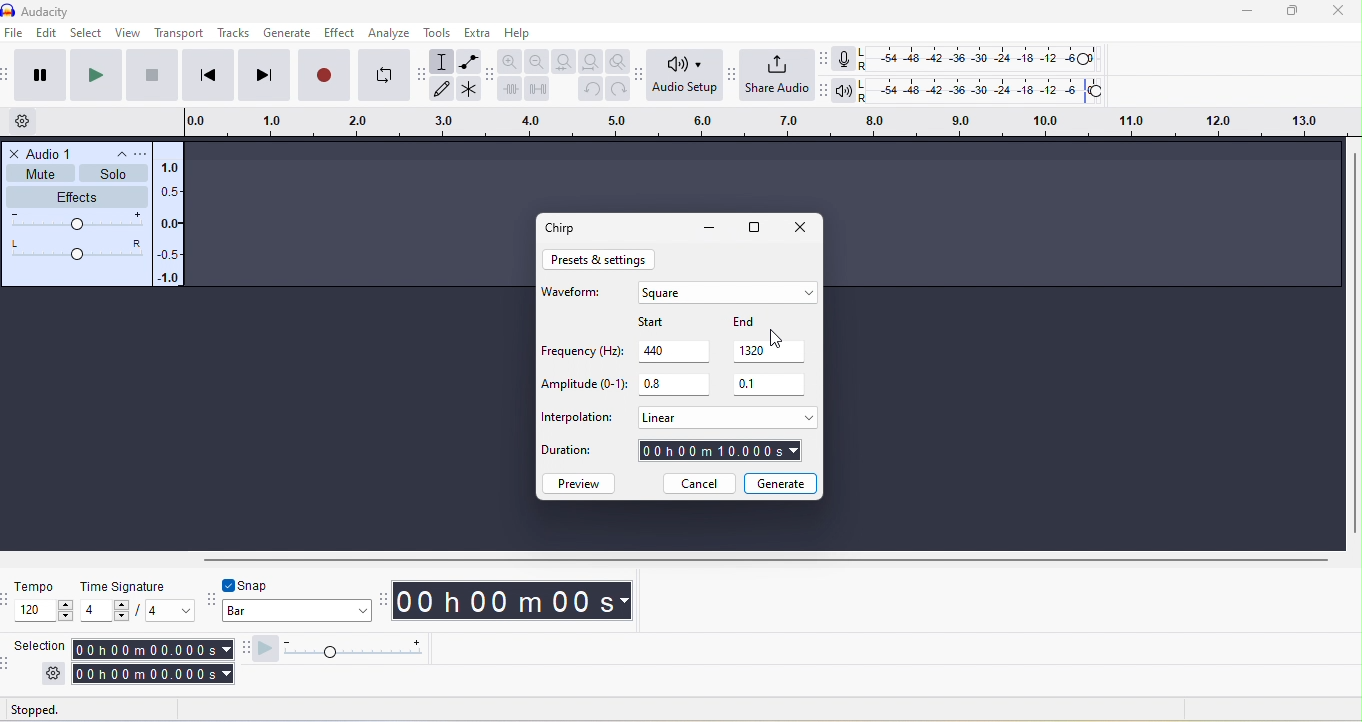 The height and width of the screenshot is (722, 1362). I want to click on open menu, so click(138, 153).